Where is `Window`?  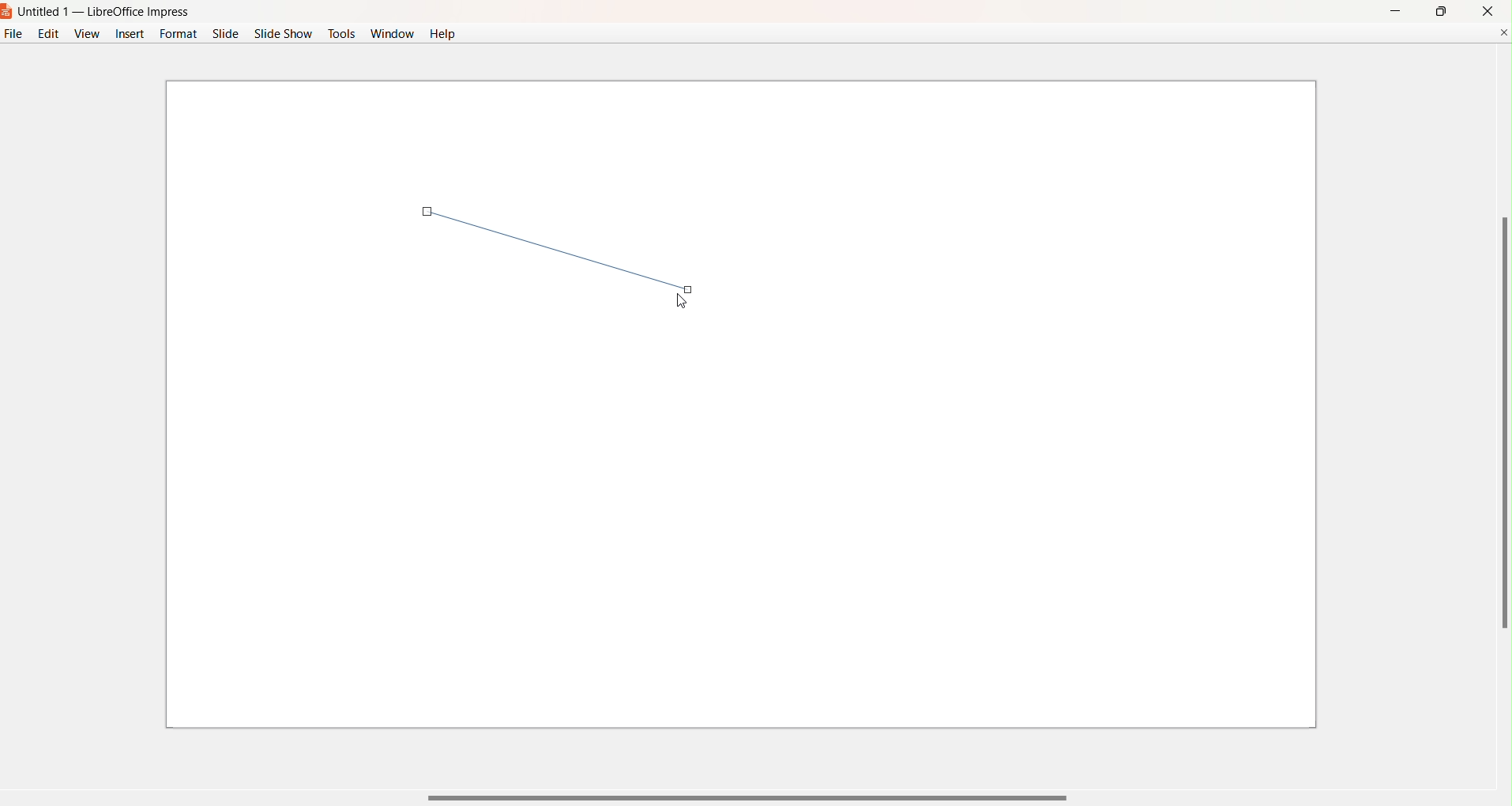
Window is located at coordinates (392, 36).